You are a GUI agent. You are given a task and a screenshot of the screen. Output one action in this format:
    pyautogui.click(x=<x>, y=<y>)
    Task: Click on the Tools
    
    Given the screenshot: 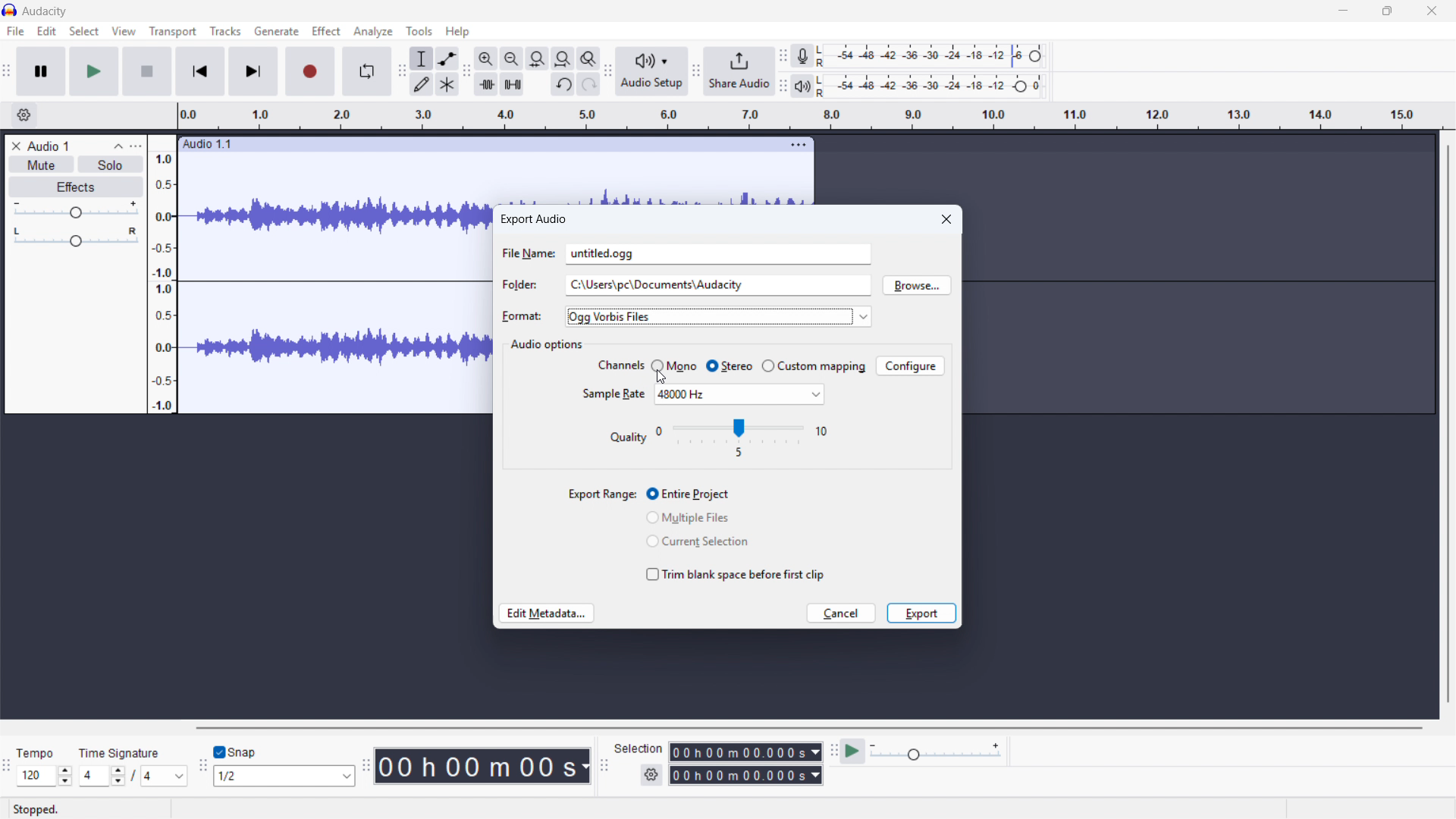 What is the action you would take?
    pyautogui.click(x=420, y=30)
    